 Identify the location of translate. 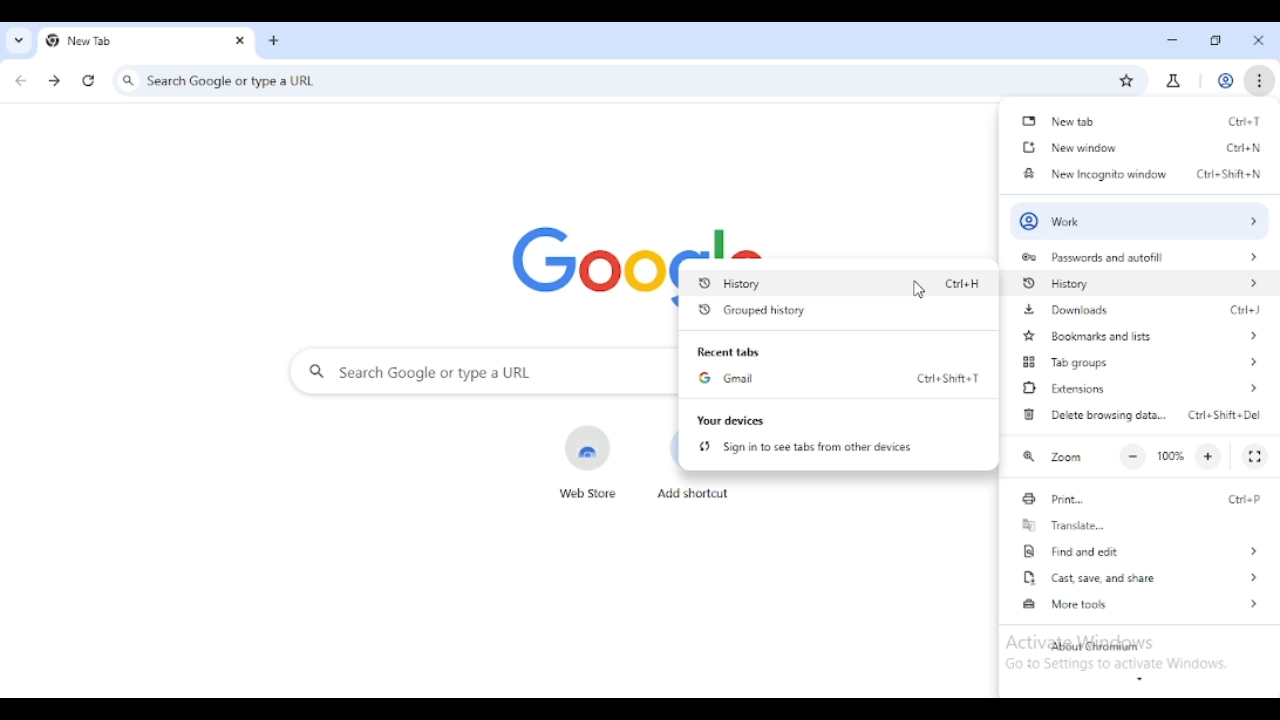
(1062, 525).